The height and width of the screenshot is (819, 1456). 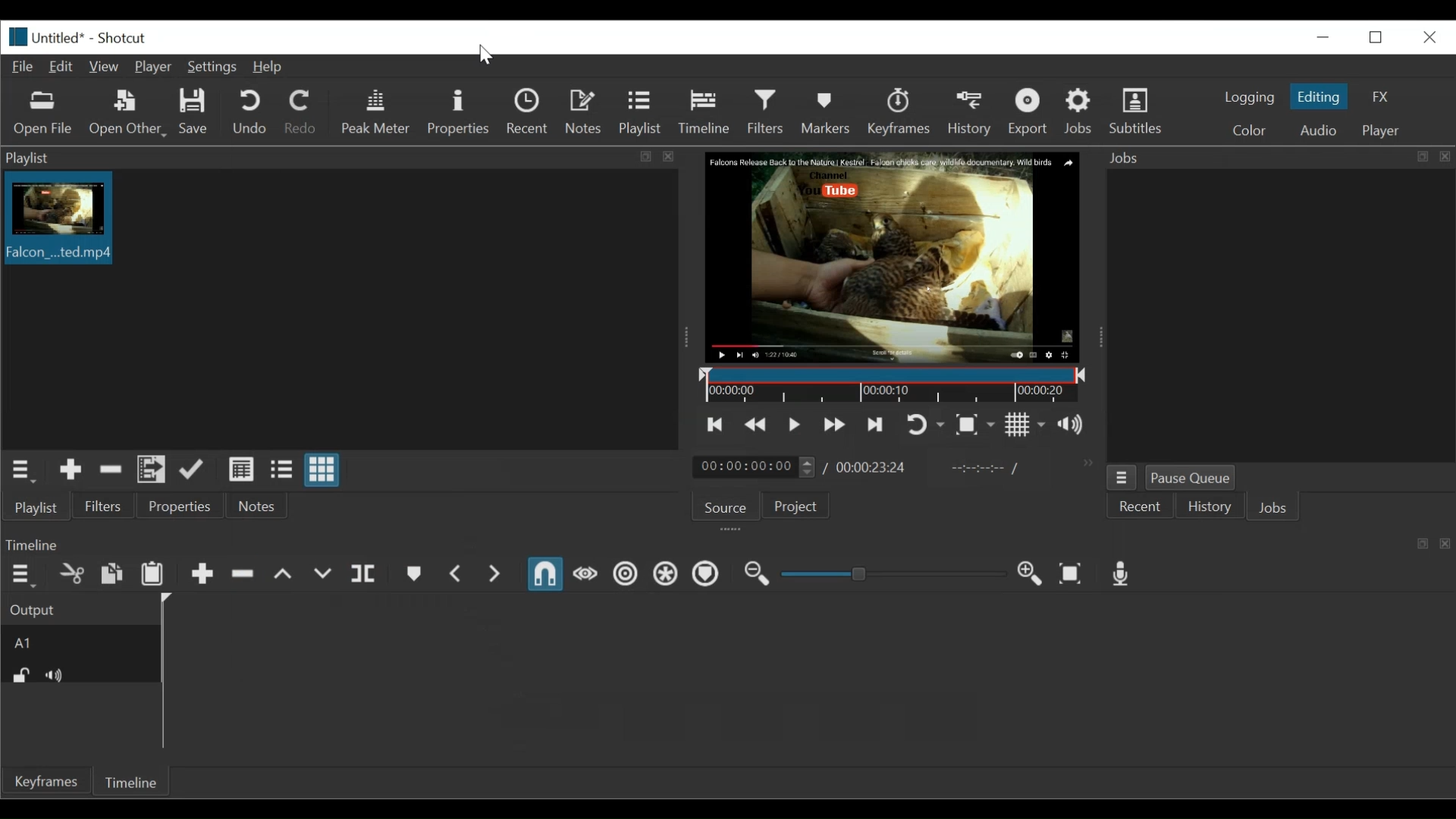 What do you see at coordinates (890, 574) in the screenshot?
I see `Adjust Zoom slider timeline` at bounding box center [890, 574].